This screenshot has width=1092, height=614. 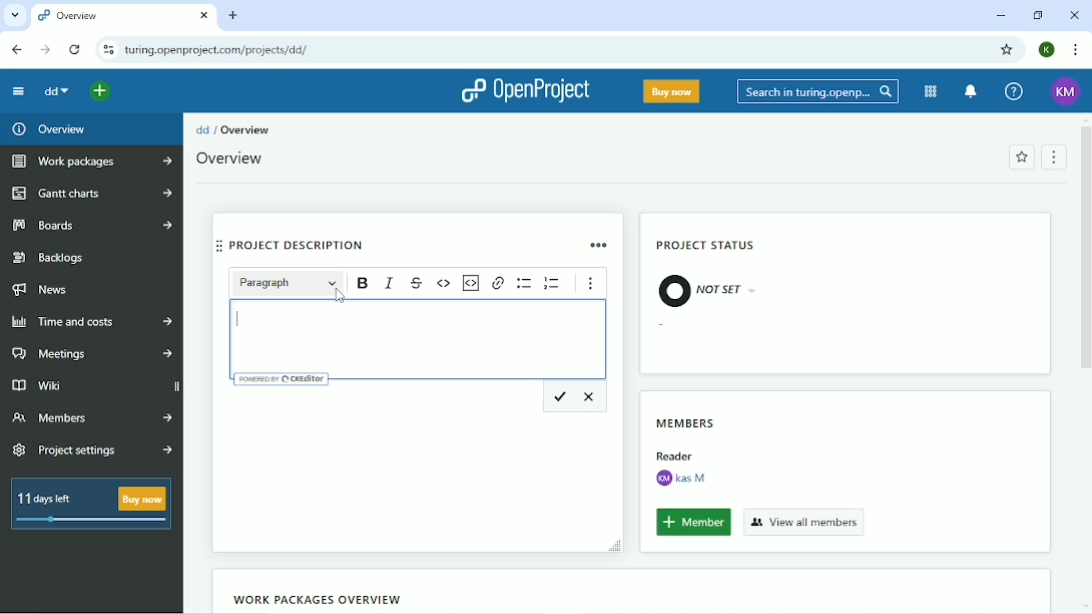 What do you see at coordinates (693, 523) in the screenshot?
I see `Member` at bounding box center [693, 523].